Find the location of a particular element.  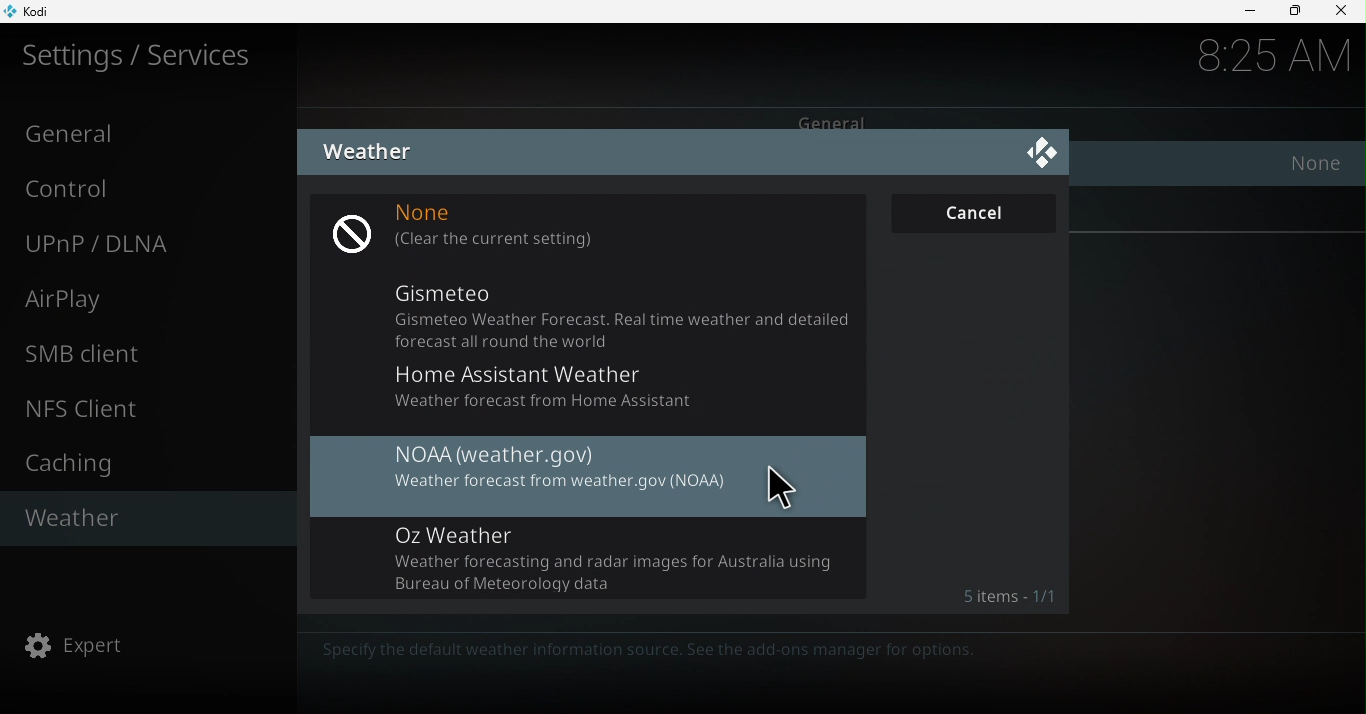

Gismeteo
Gismeteo Weather Forecast. Real time weather and detailed
forecast all round the world is located at coordinates (619, 314).